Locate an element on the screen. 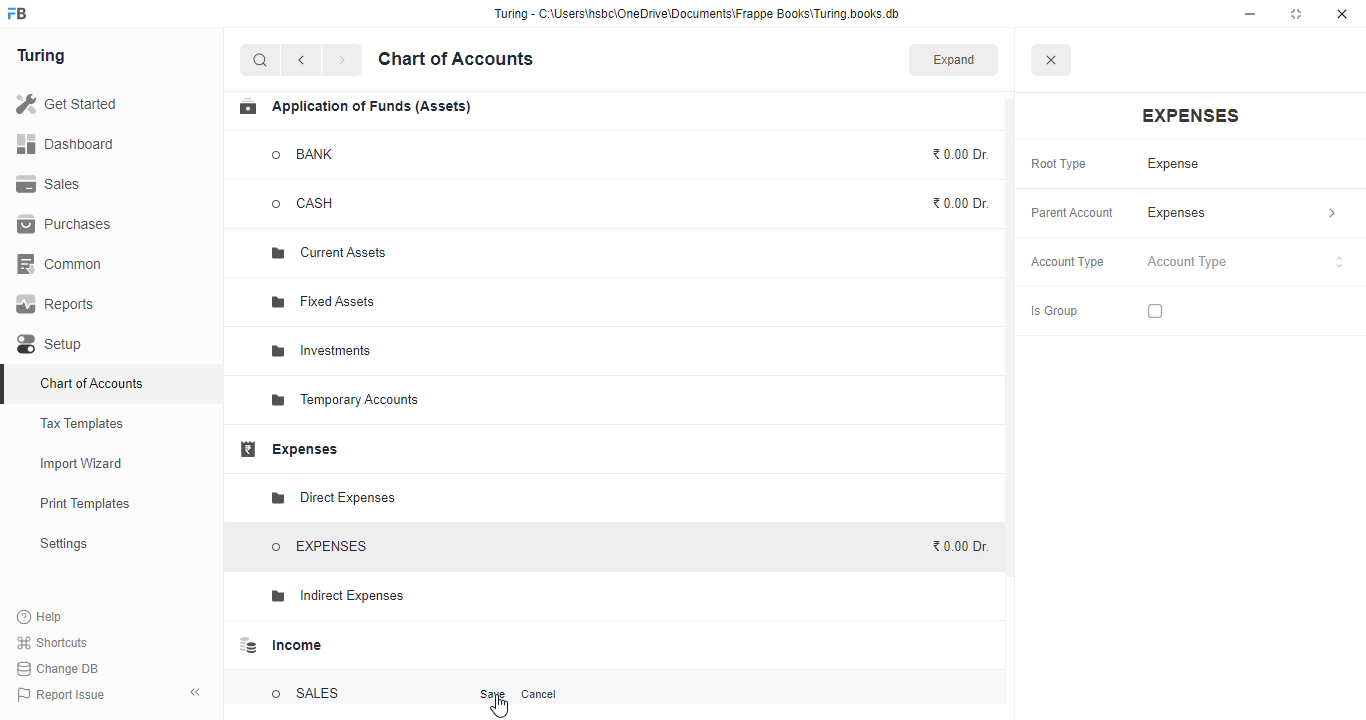  temporary accounts is located at coordinates (345, 401).